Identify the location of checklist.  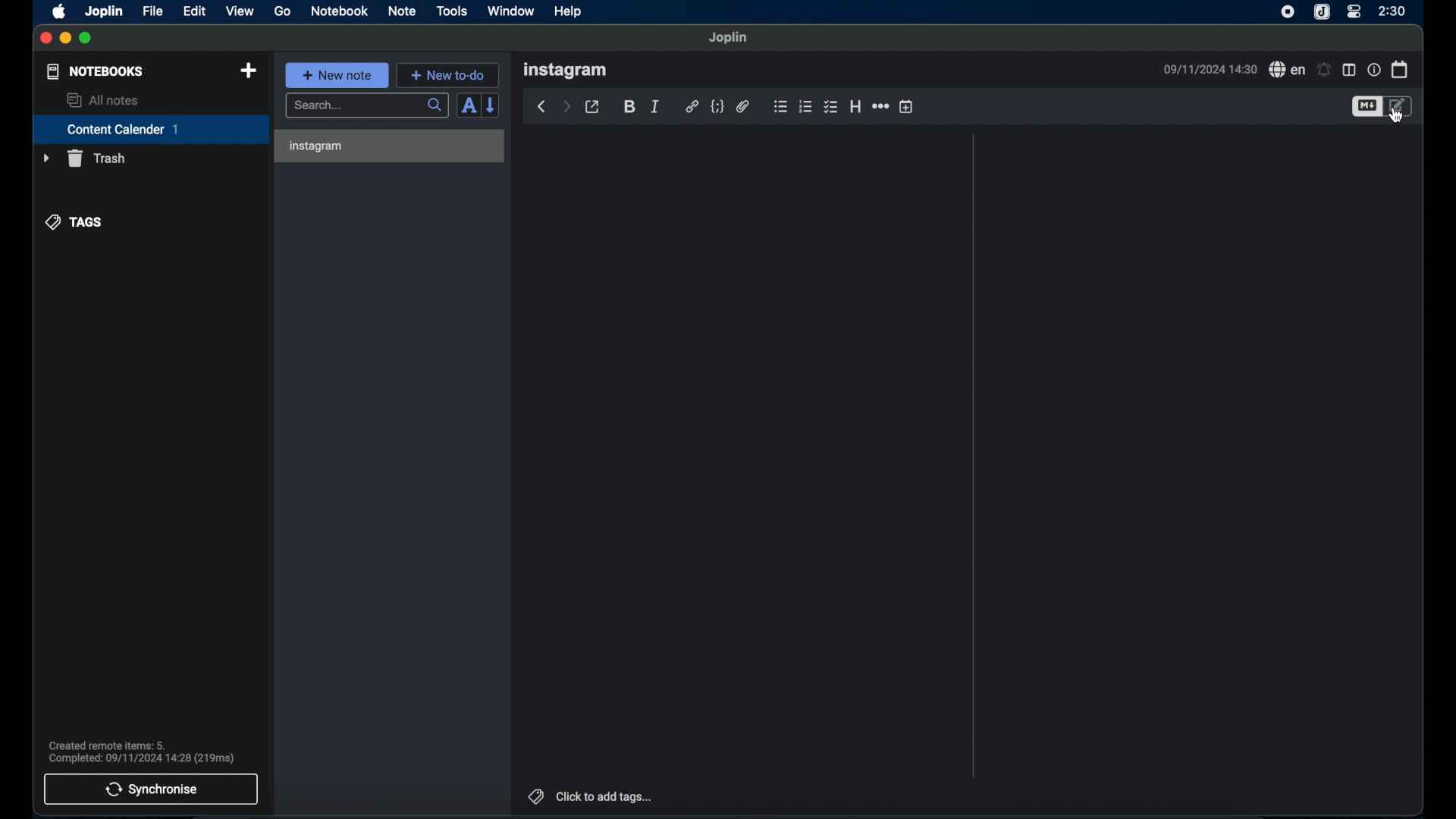
(830, 107).